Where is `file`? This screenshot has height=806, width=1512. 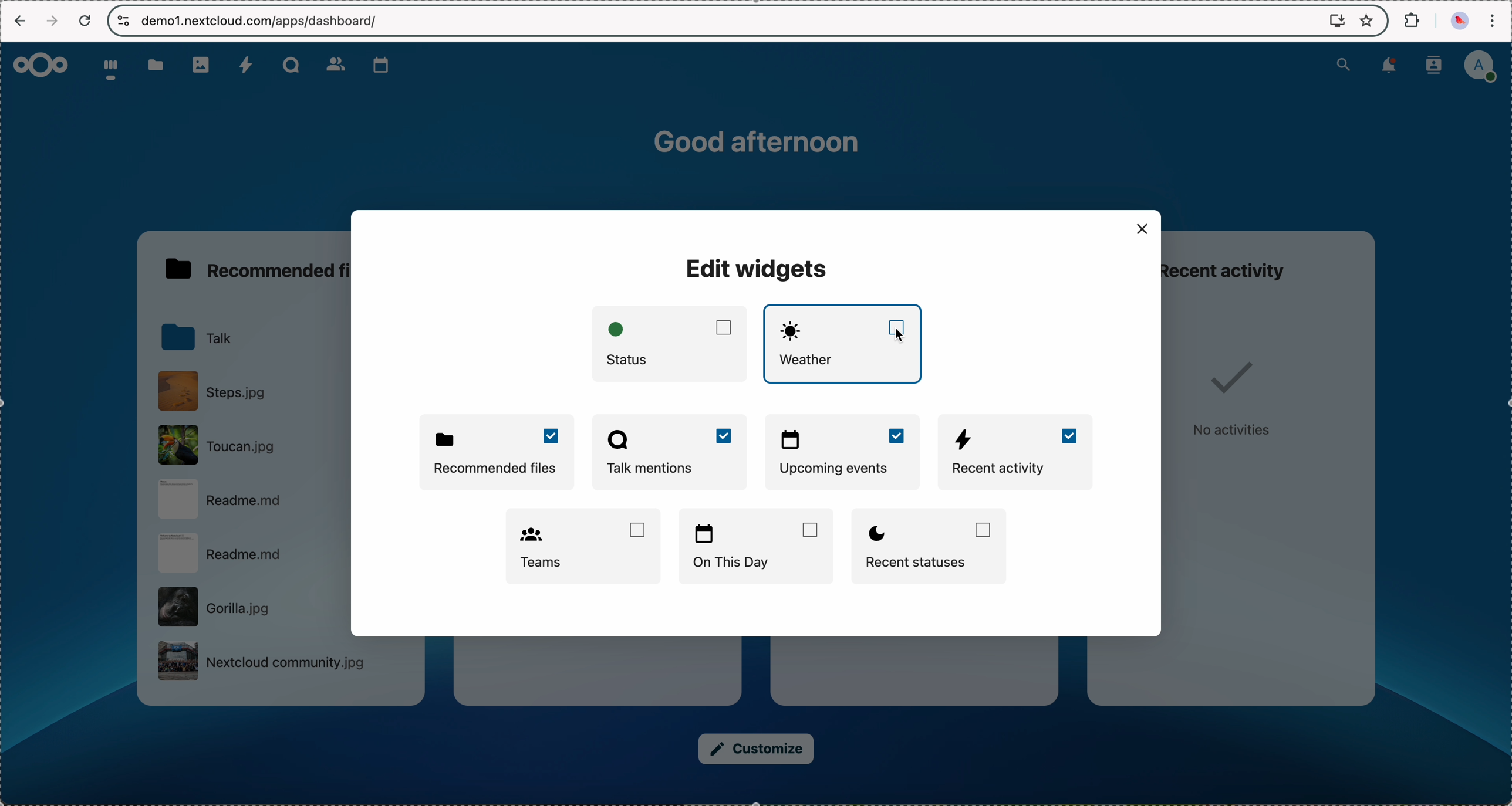 file is located at coordinates (249, 503).